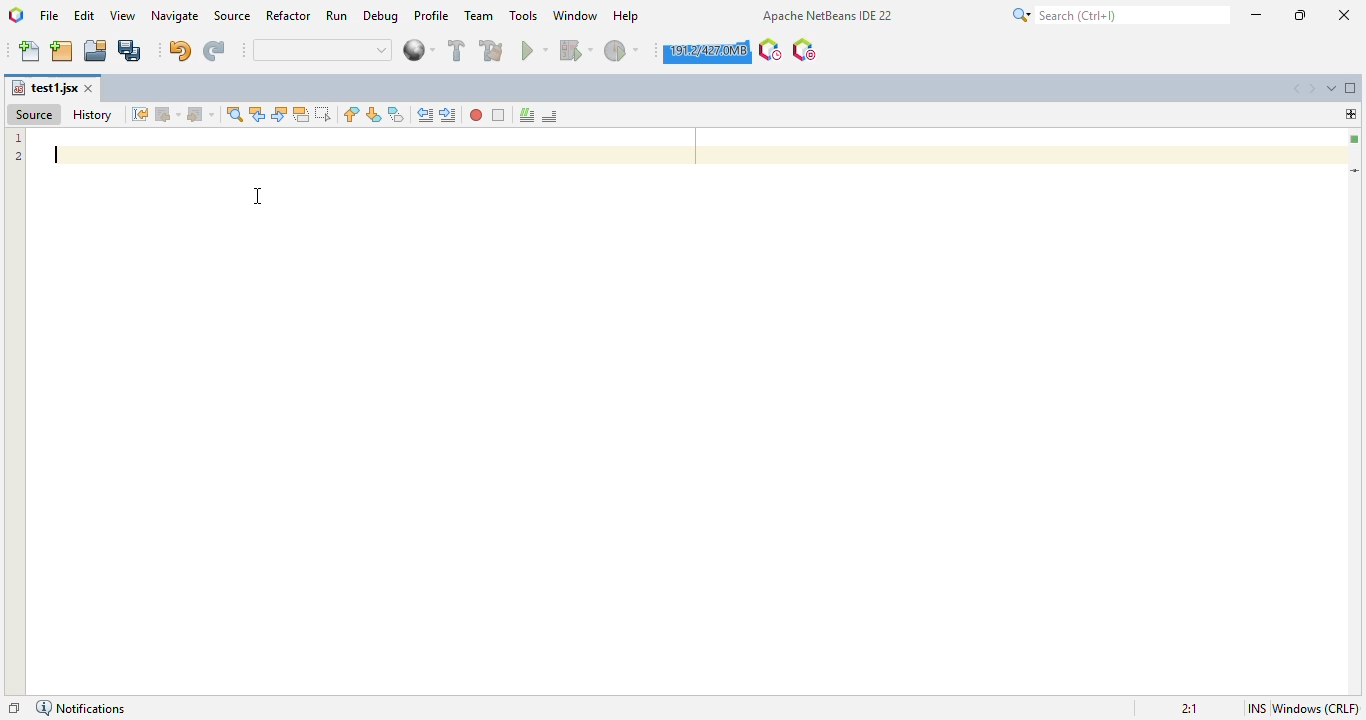 This screenshot has width=1366, height=720. Describe the element at coordinates (432, 14) in the screenshot. I see `profile` at that location.